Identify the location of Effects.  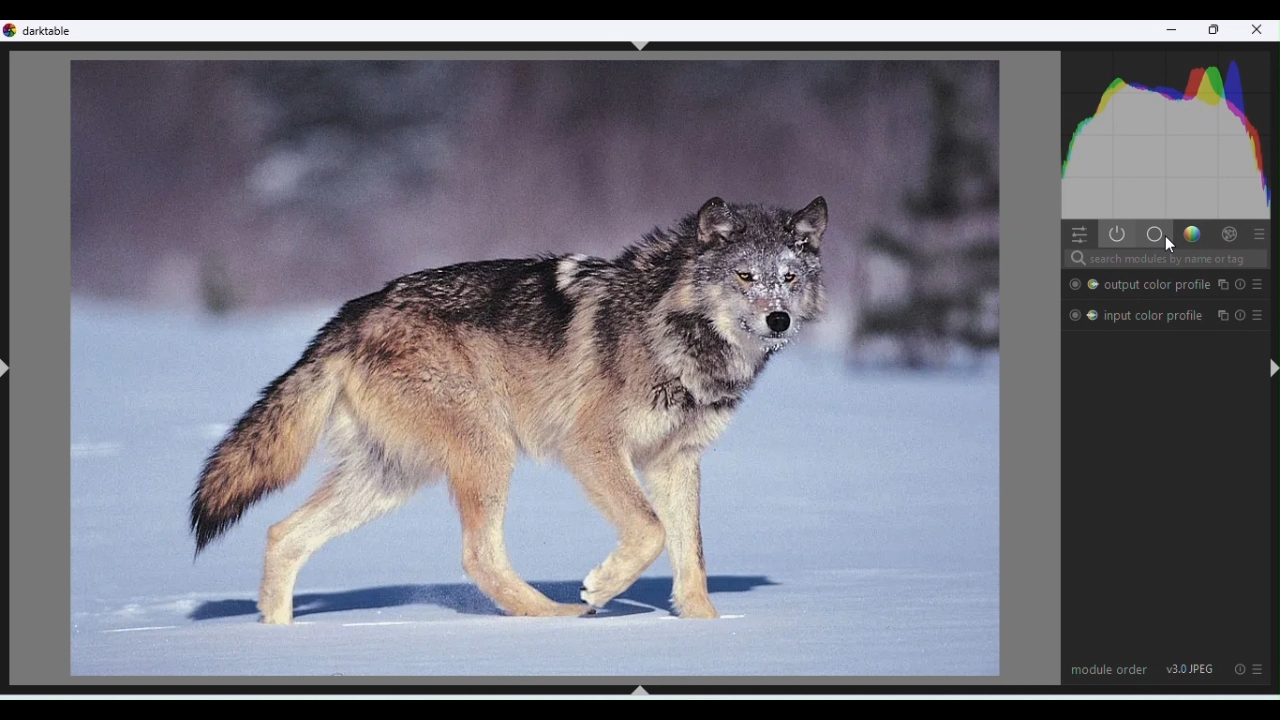
(1229, 233).